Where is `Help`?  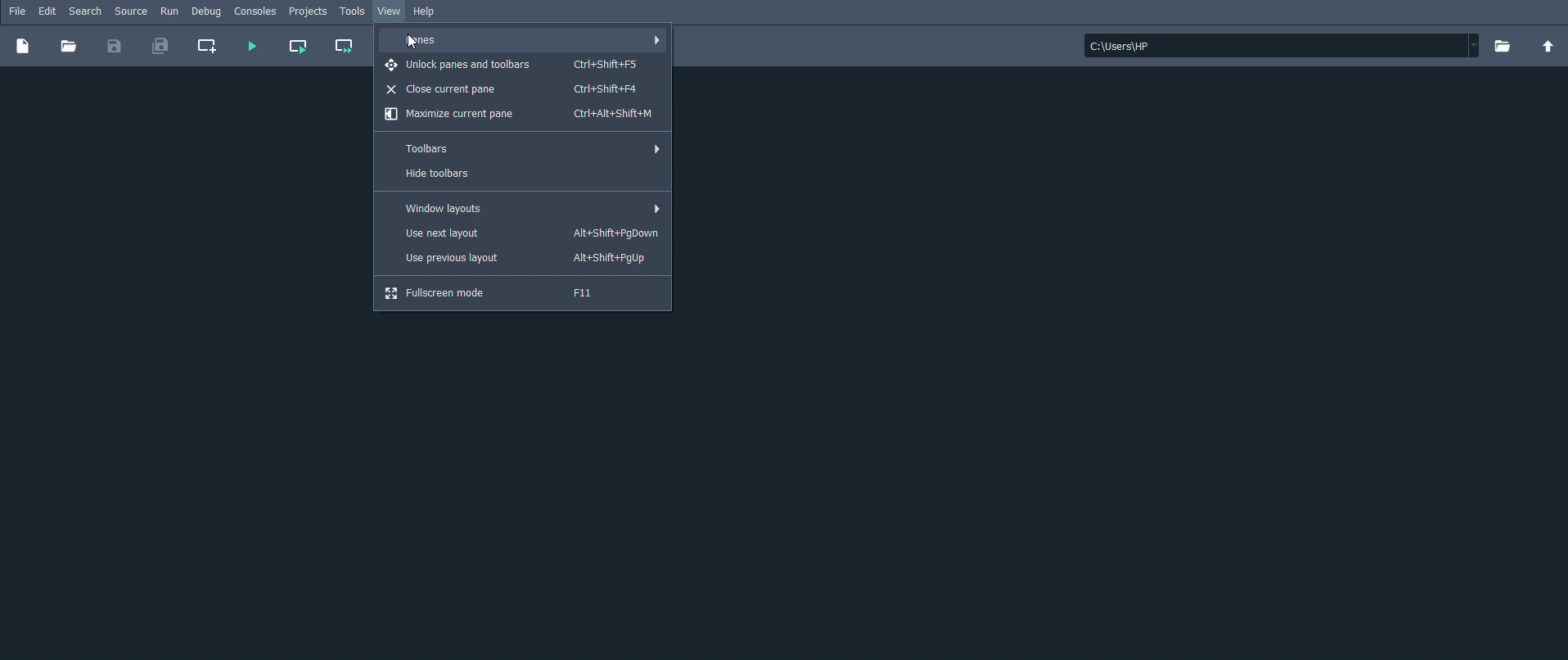 Help is located at coordinates (428, 12).